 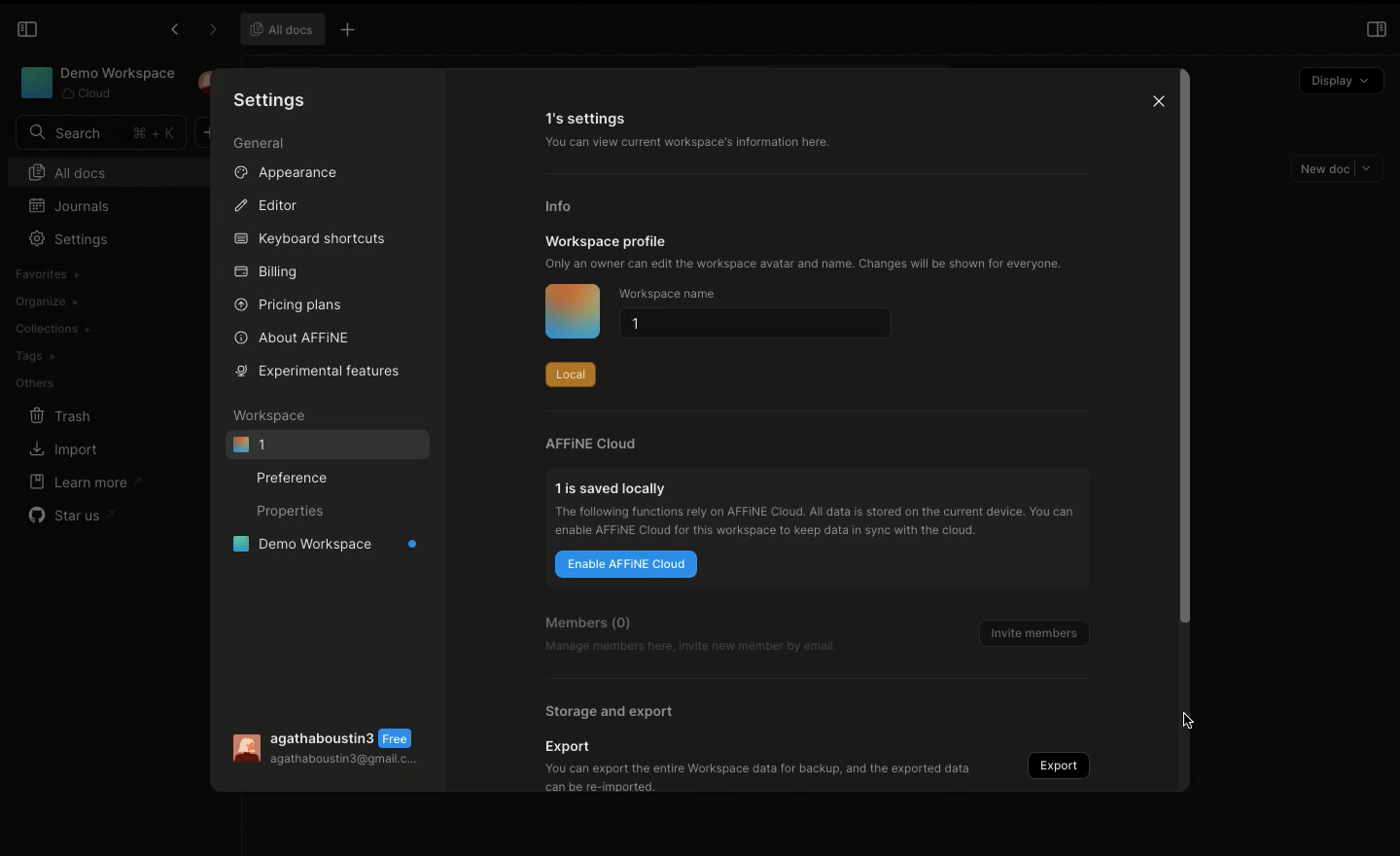 What do you see at coordinates (1338, 168) in the screenshot?
I see `New doc` at bounding box center [1338, 168].